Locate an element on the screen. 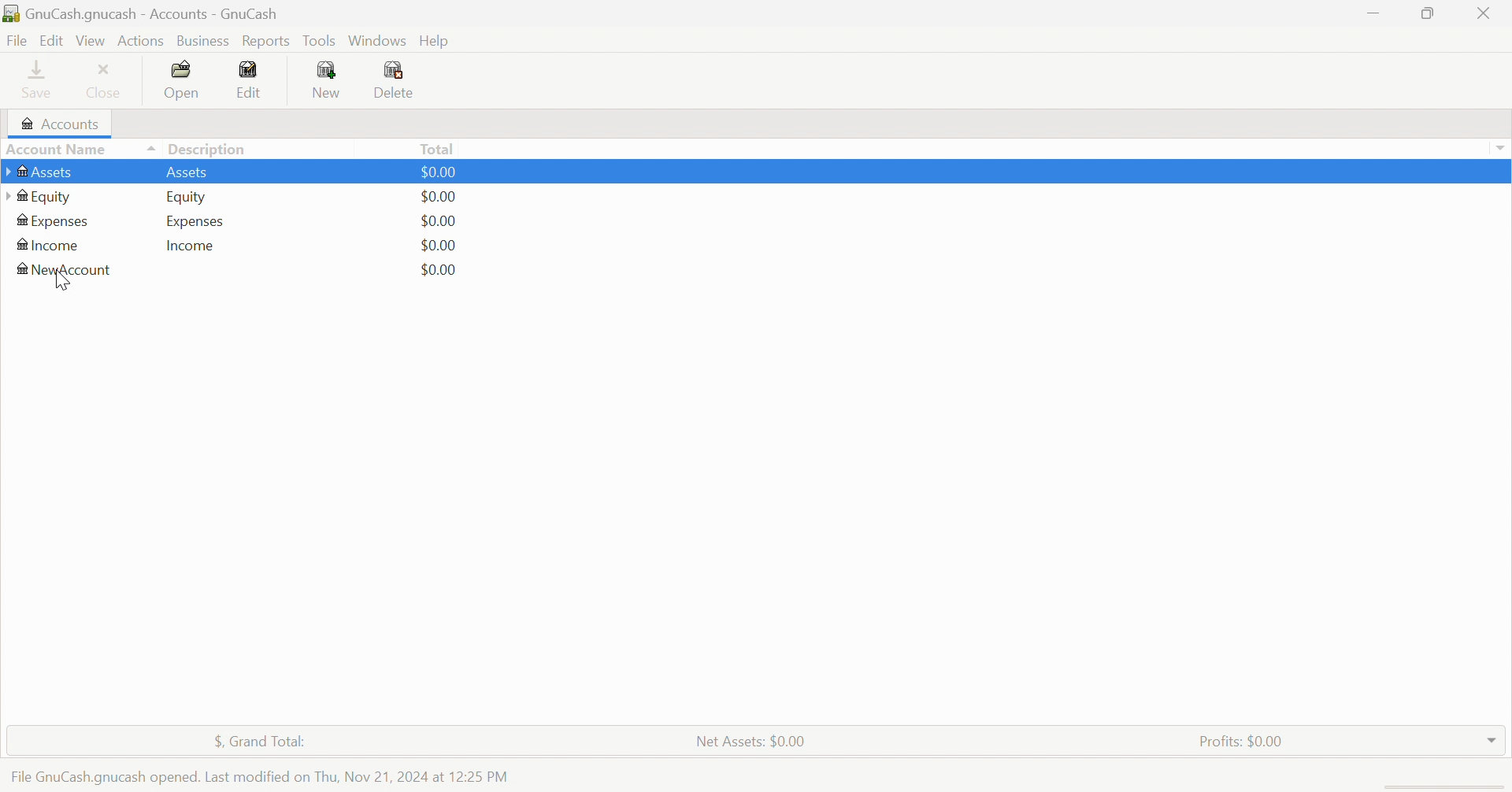 The image size is (1512, 792). Net Assets: $0.00 is located at coordinates (753, 742).